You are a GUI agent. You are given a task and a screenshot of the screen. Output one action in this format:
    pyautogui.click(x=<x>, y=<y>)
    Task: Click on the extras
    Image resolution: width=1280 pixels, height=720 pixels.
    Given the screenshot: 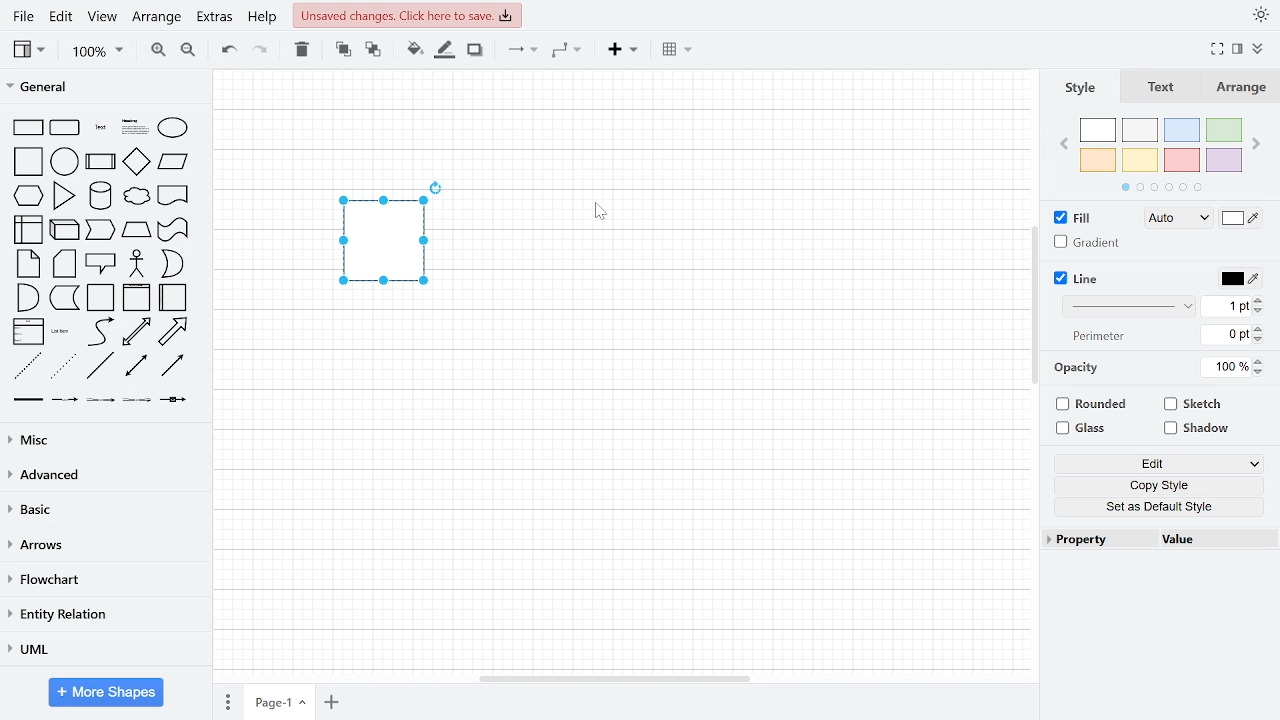 What is the action you would take?
    pyautogui.click(x=216, y=19)
    